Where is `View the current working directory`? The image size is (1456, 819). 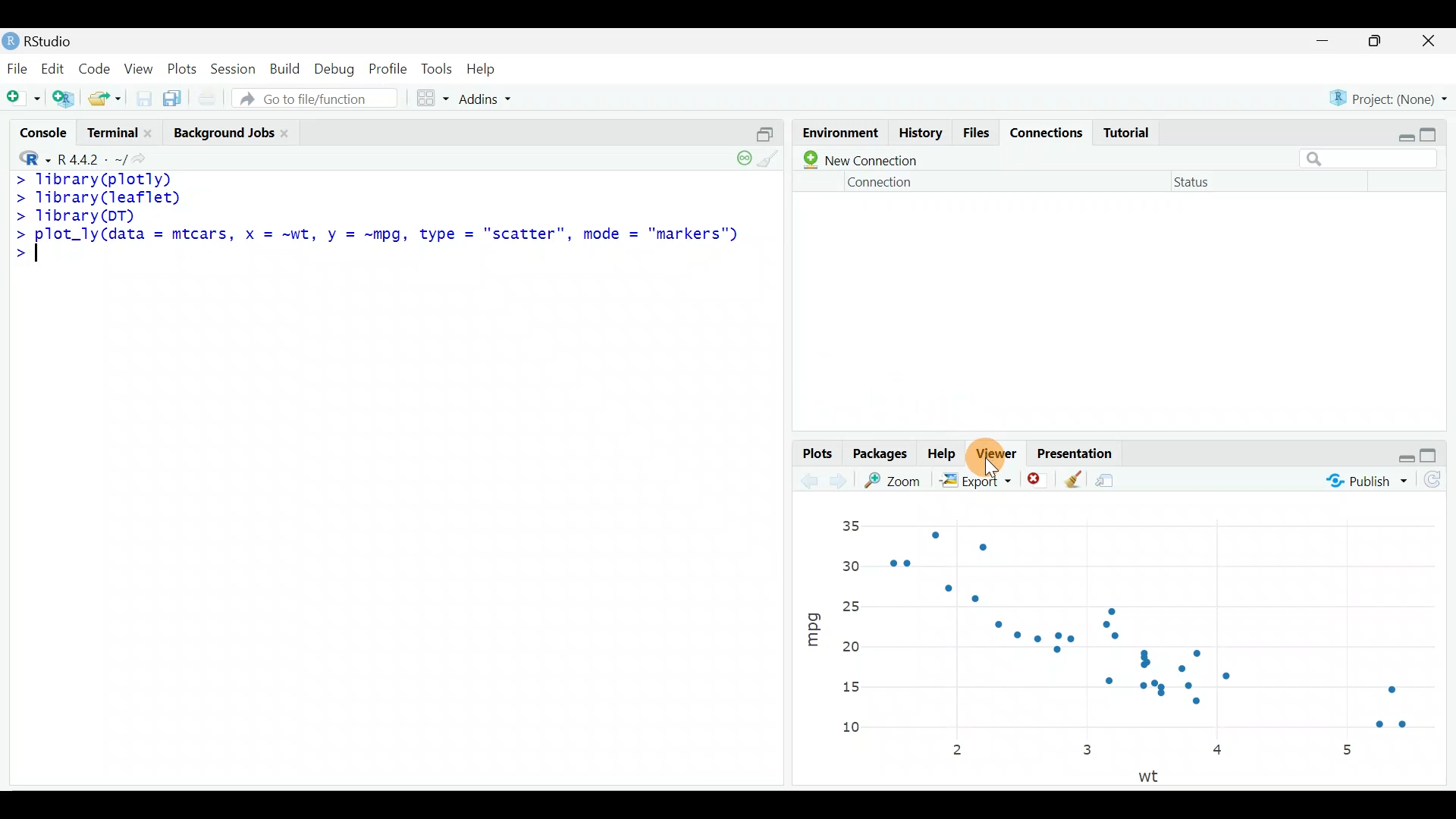
View the current working directory is located at coordinates (149, 158).